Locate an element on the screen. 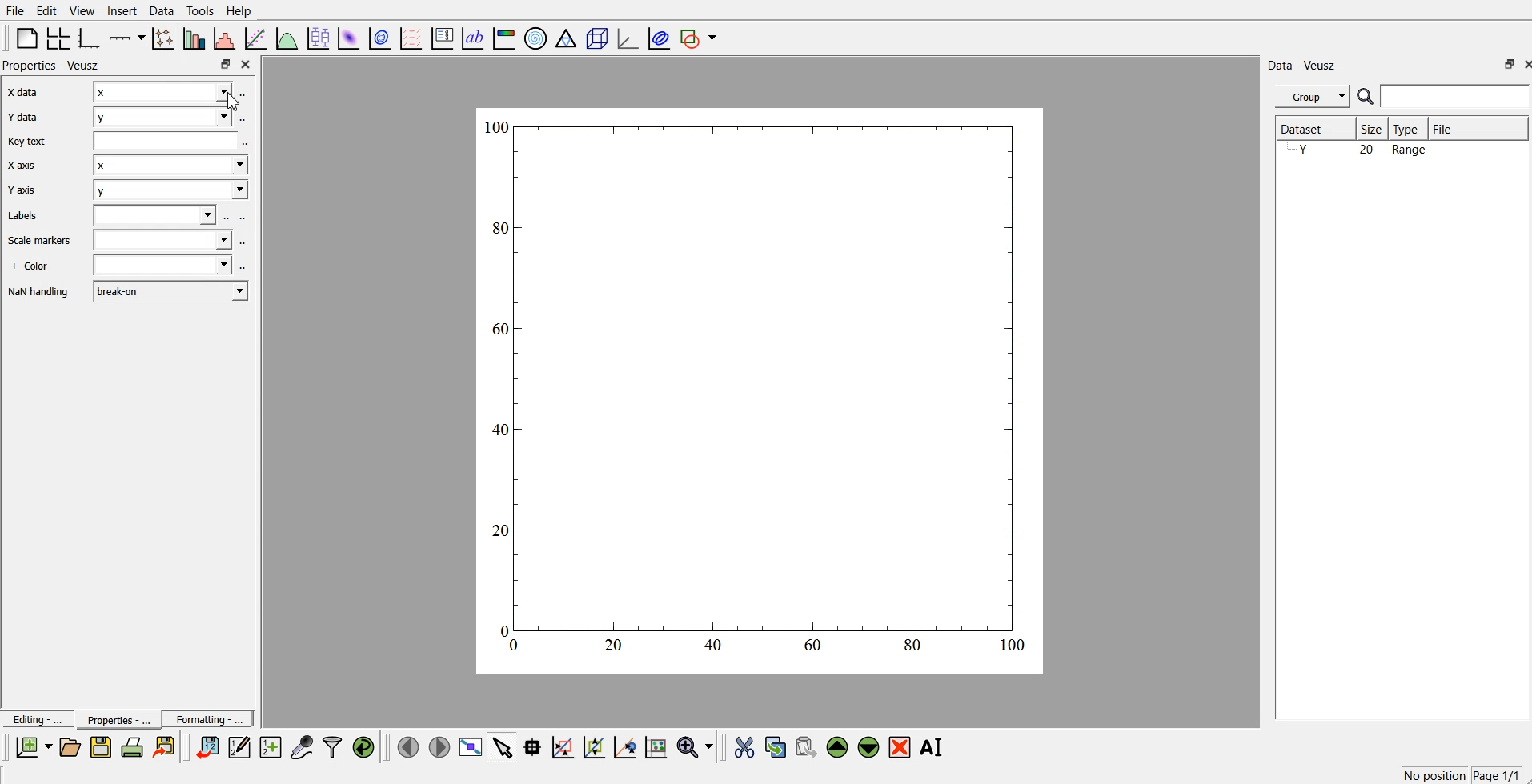  Tools is located at coordinates (200, 11).